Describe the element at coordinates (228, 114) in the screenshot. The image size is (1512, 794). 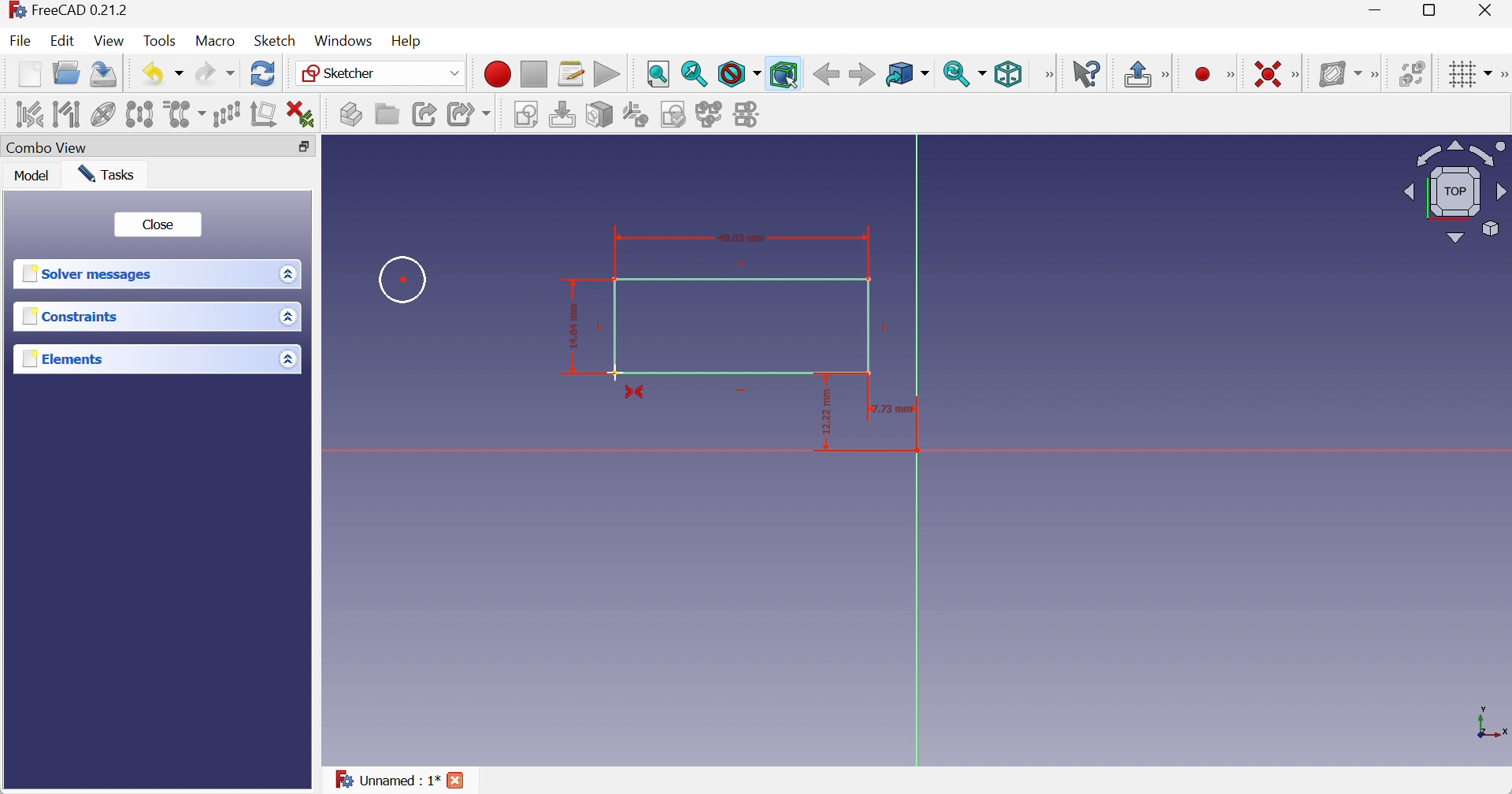
I see `Rectangular array` at that location.